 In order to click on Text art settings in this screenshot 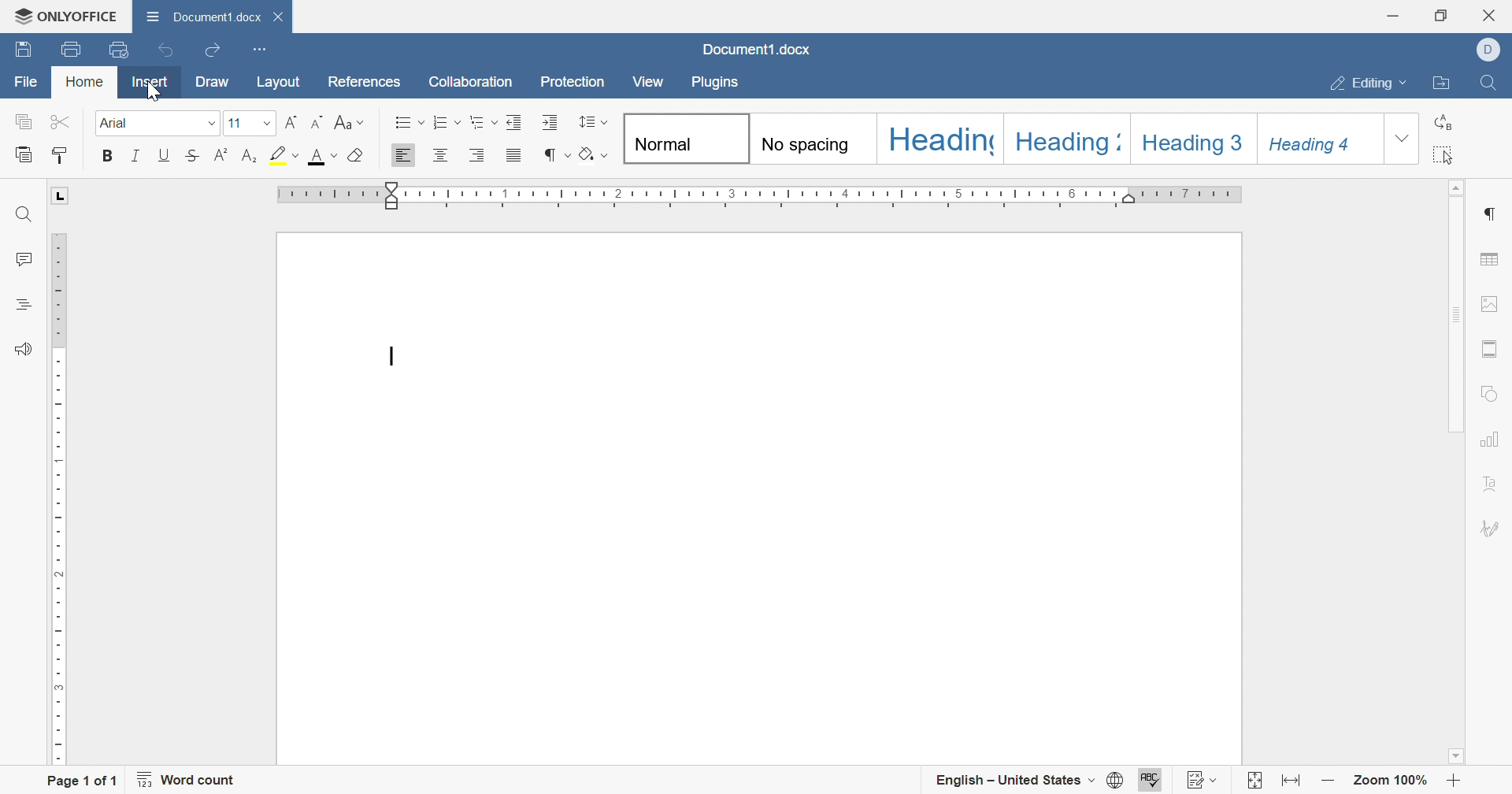, I will do `click(1491, 487)`.